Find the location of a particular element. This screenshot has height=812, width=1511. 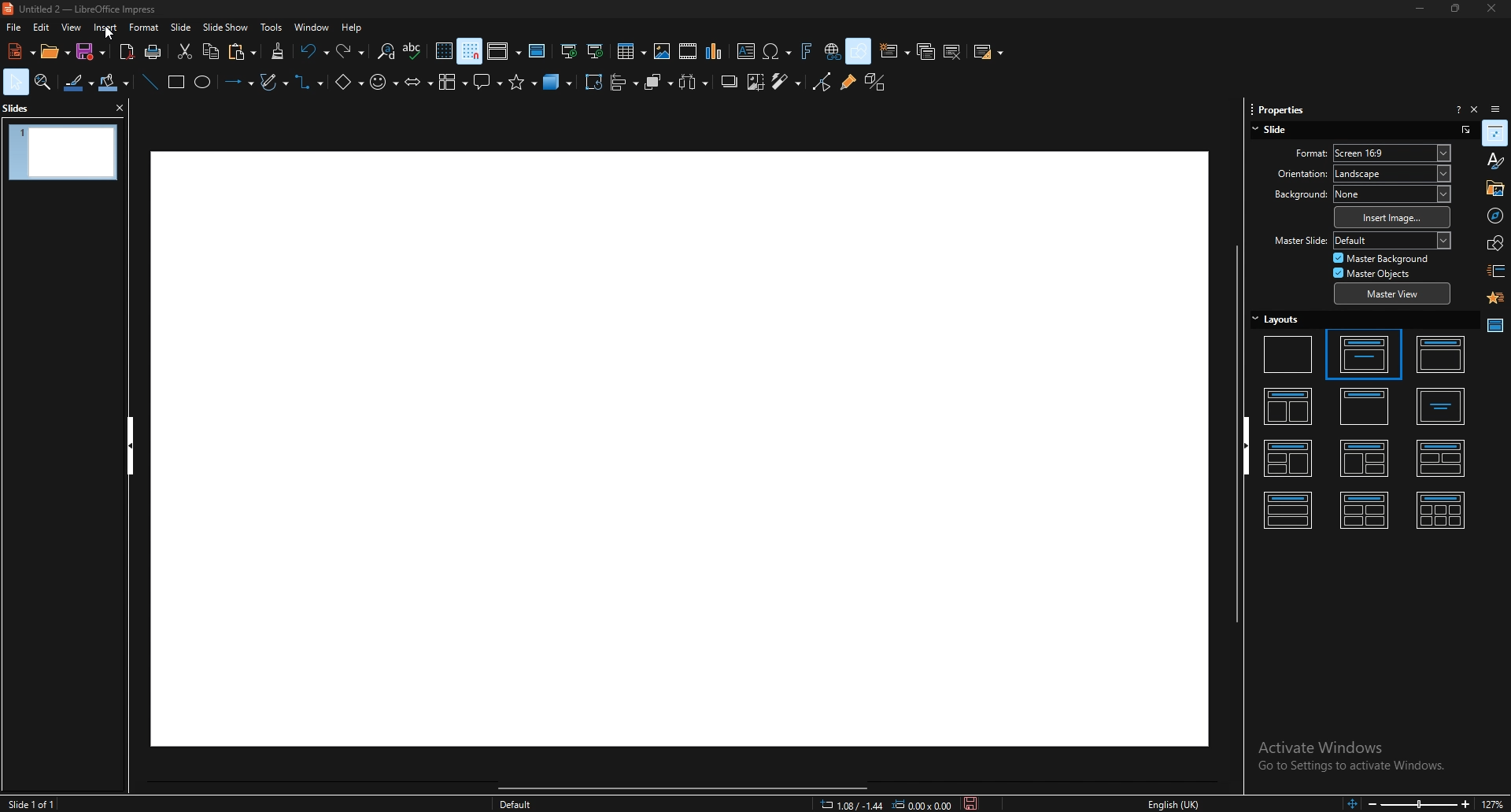

select is located at coordinates (16, 82).